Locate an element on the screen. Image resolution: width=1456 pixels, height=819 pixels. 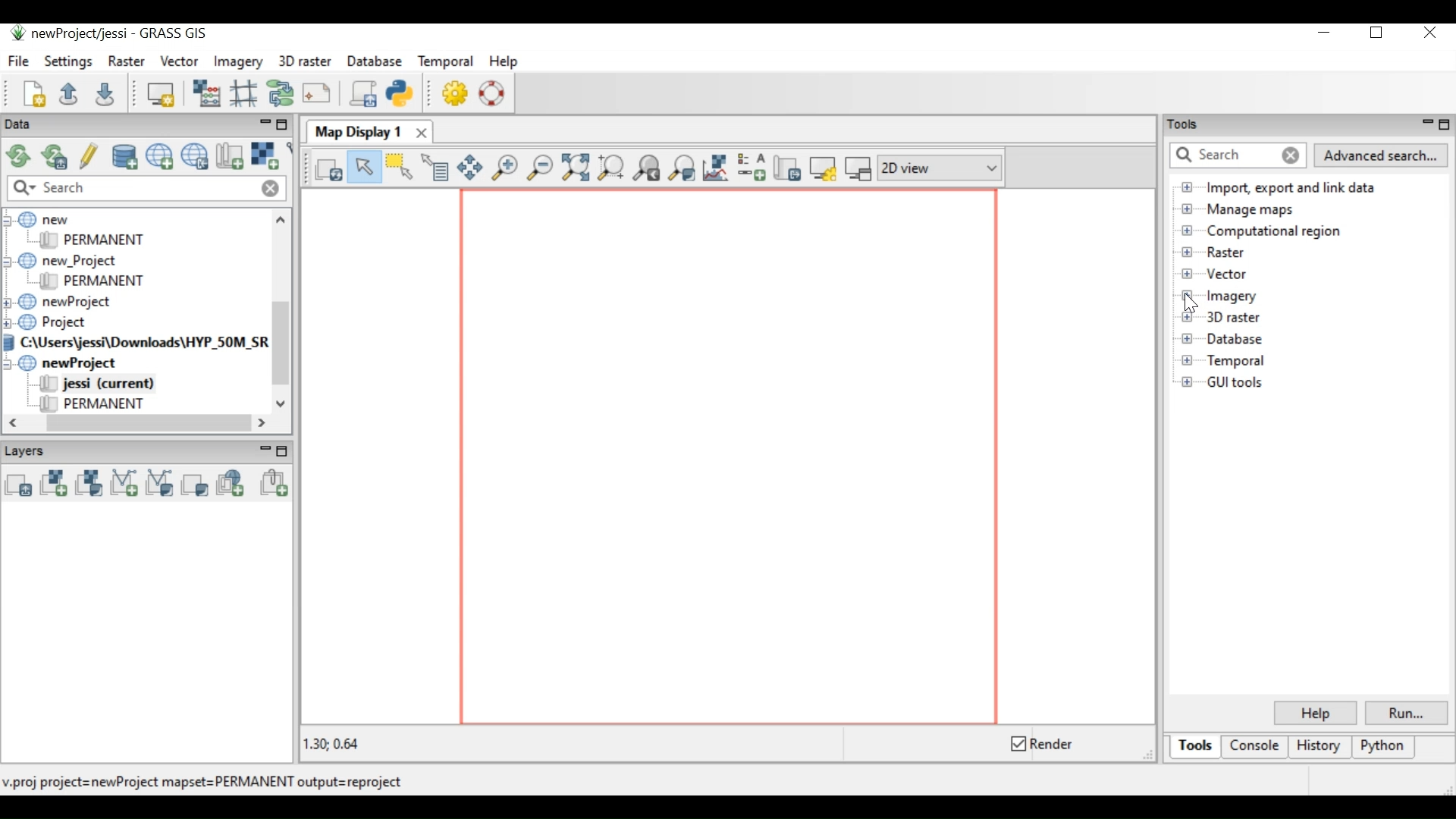
Raster is located at coordinates (127, 60).